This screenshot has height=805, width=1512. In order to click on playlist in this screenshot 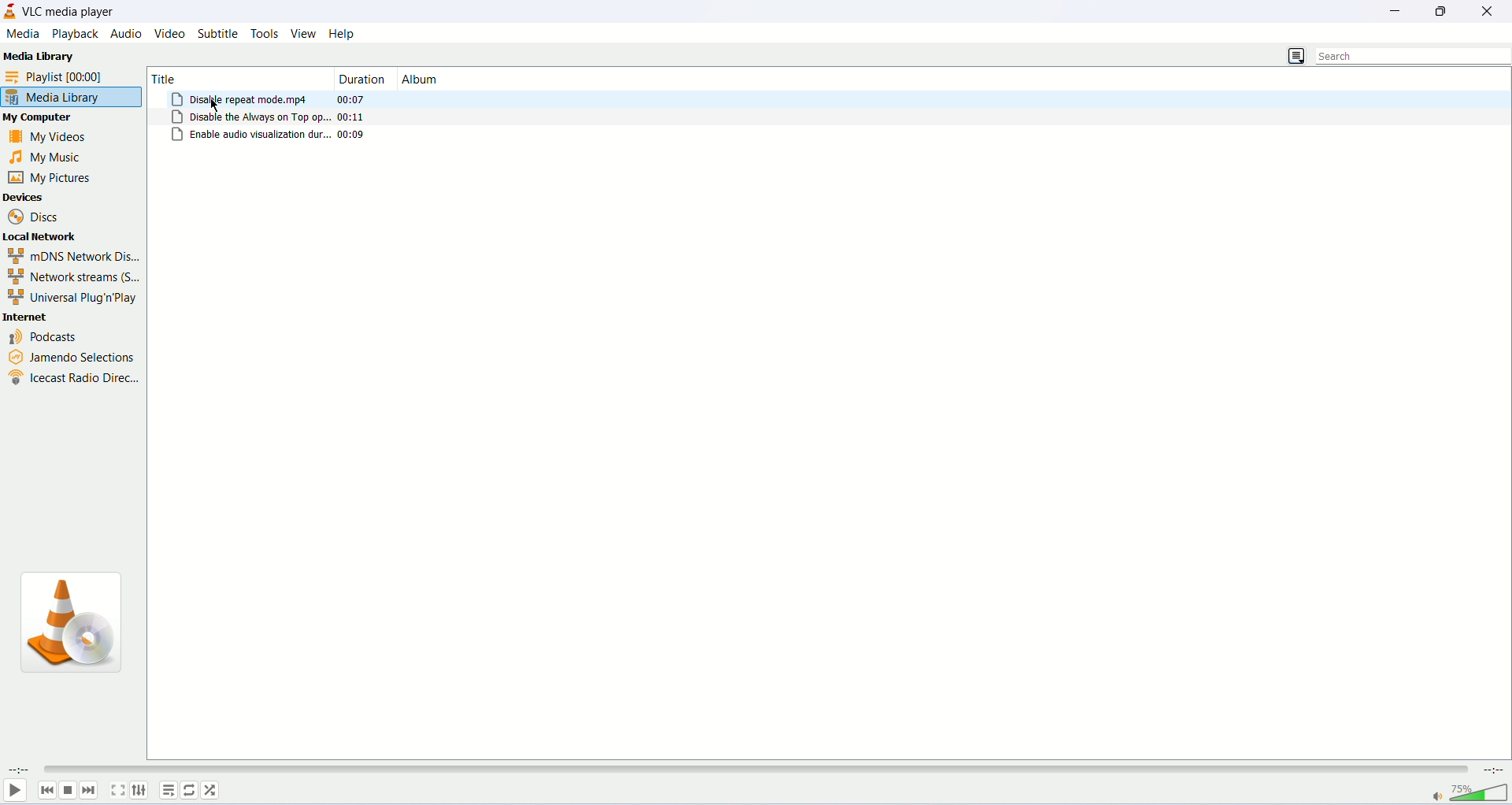, I will do `click(69, 76)`.